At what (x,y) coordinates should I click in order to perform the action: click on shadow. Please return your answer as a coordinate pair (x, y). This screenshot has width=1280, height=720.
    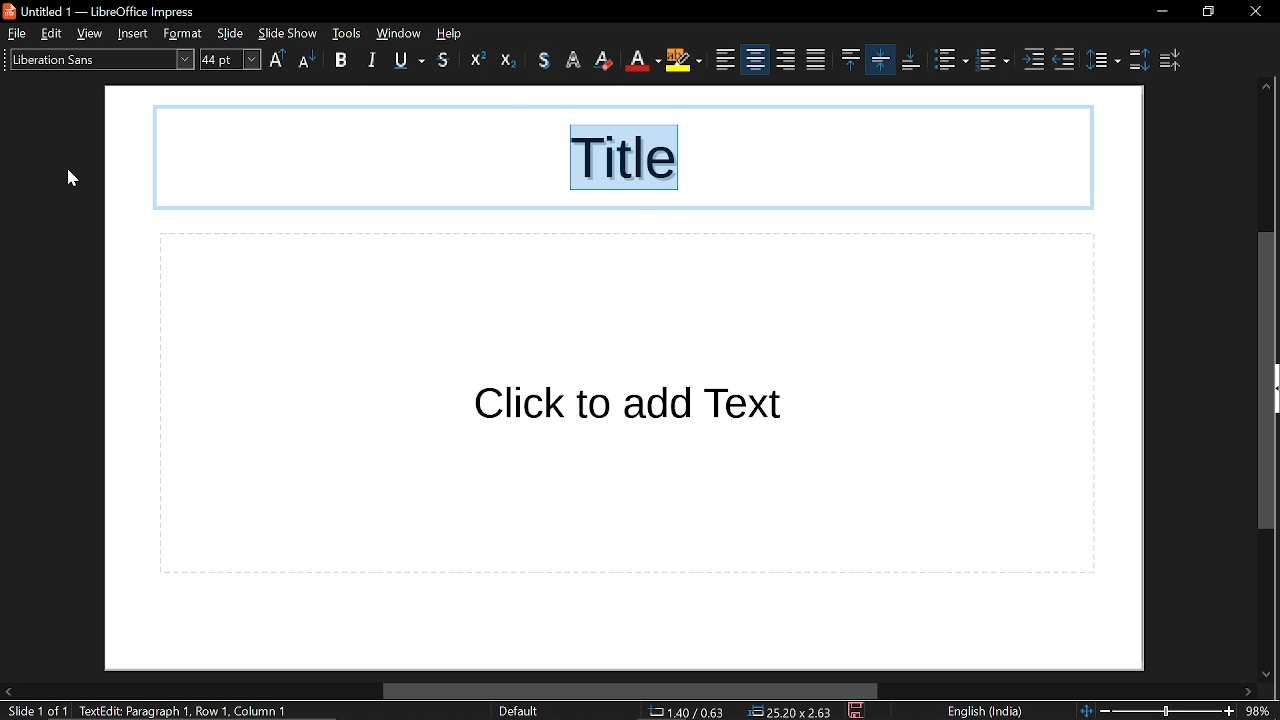
    Looking at the image, I should click on (445, 61).